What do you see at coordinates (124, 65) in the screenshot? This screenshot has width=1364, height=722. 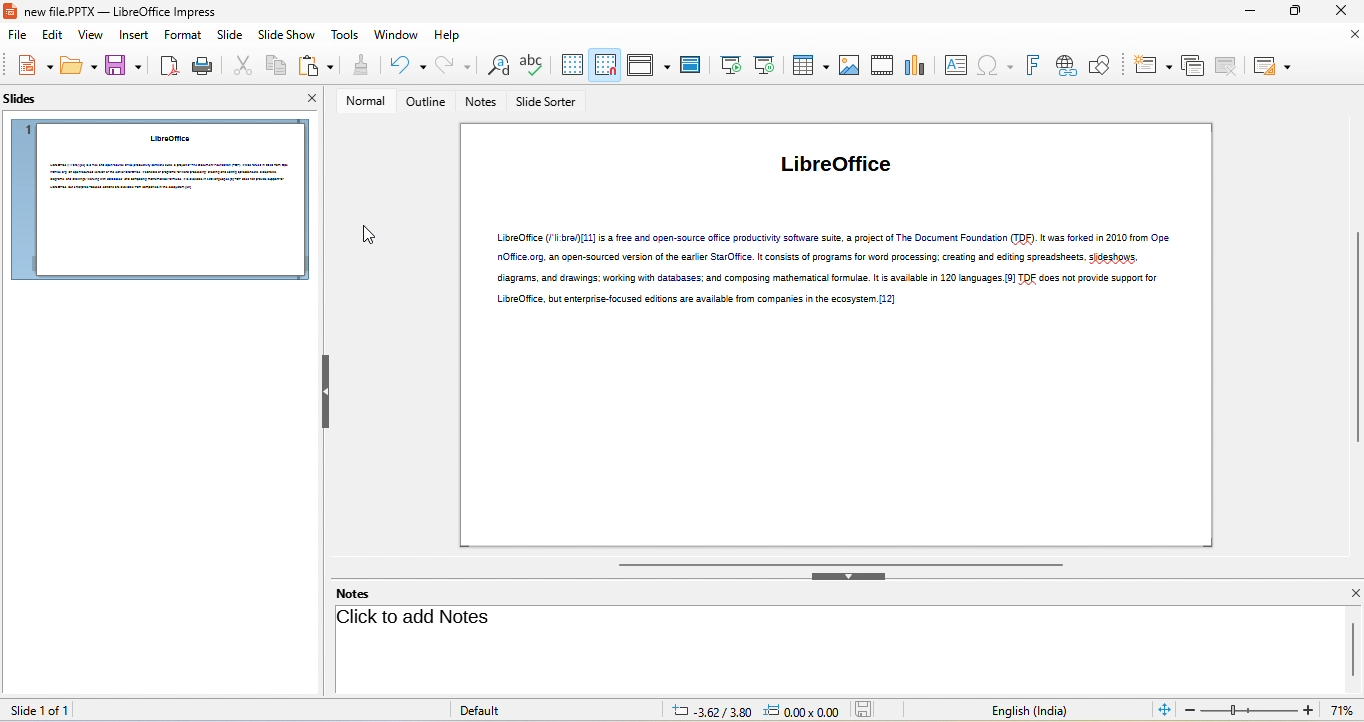 I see `save` at bounding box center [124, 65].